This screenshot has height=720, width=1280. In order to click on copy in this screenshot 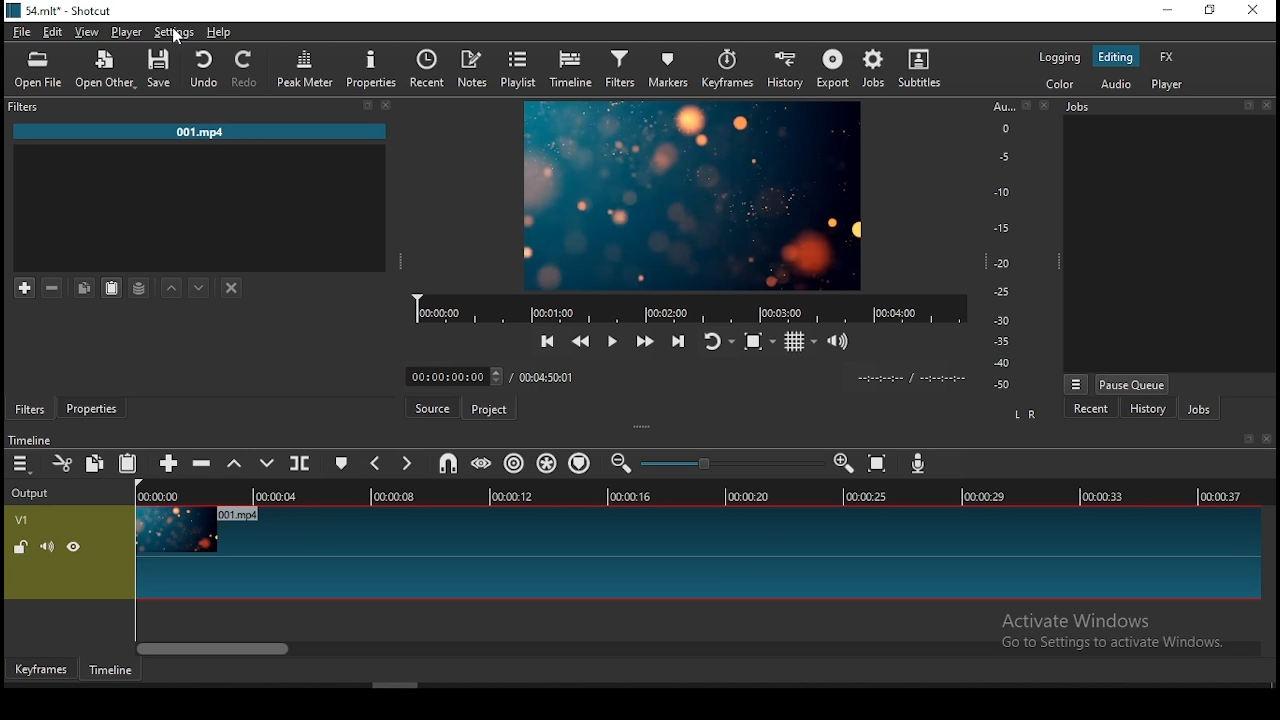, I will do `click(84, 287)`.